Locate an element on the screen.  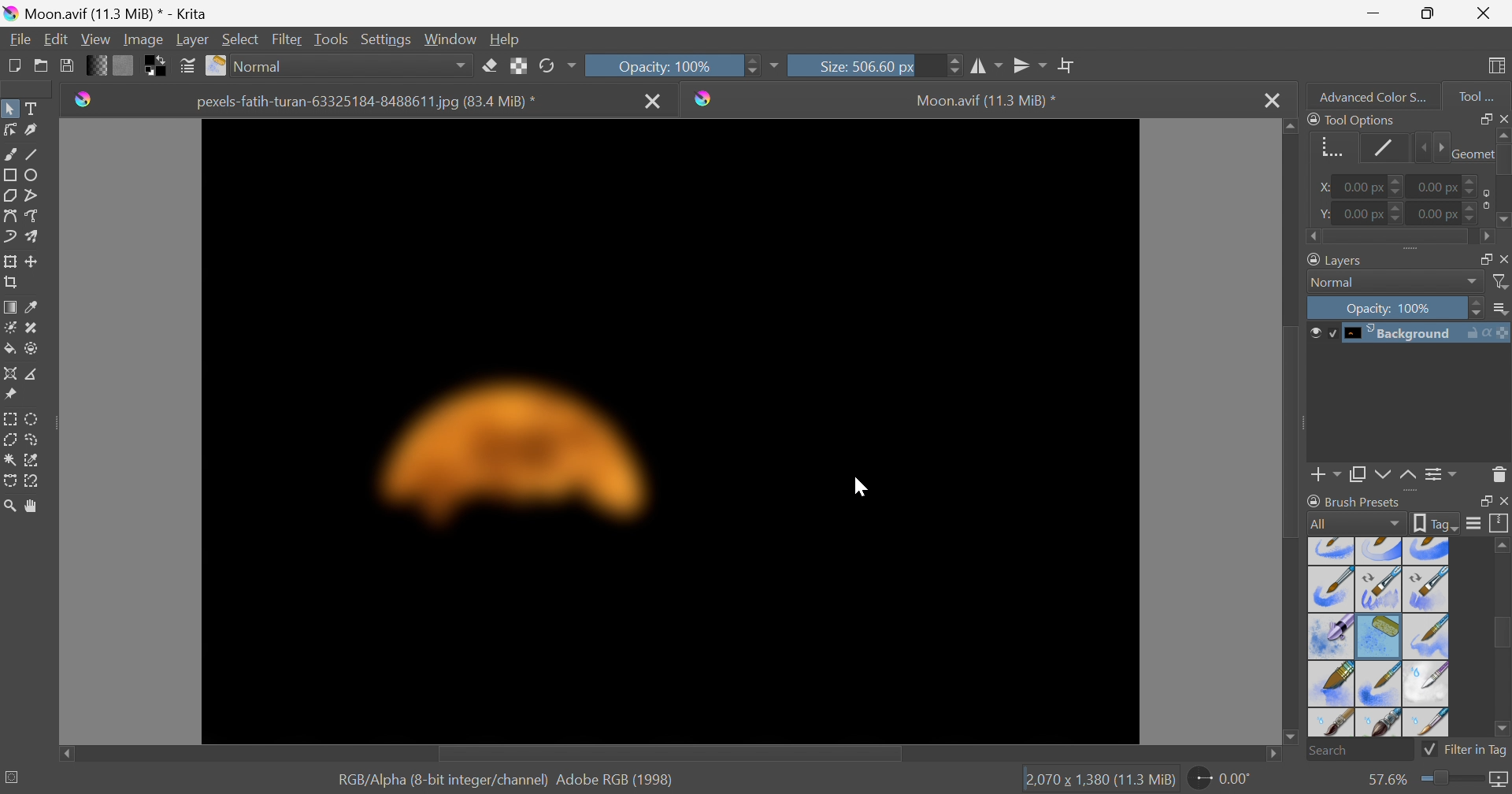
Transform a layer or a selection is located at coordinates (9, 260).